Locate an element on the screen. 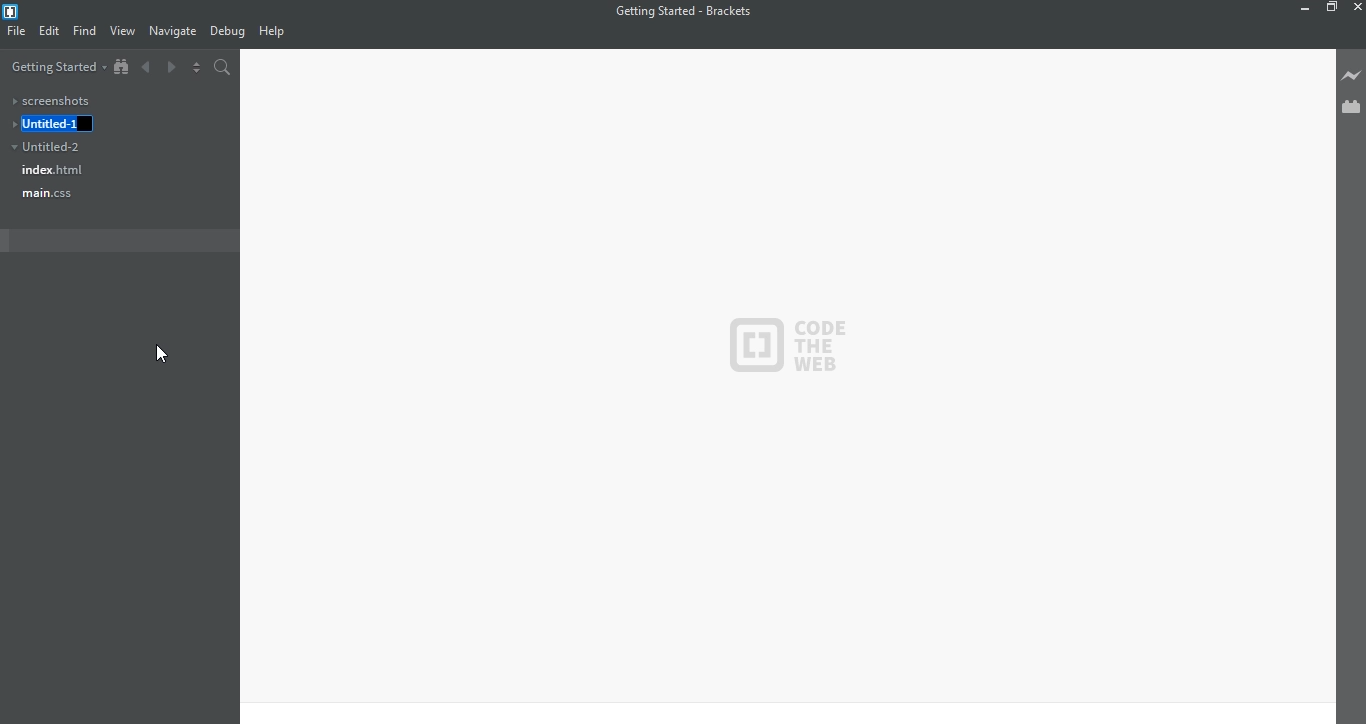 The image size is (1366, 724). view is located at coordinates (123, 31).